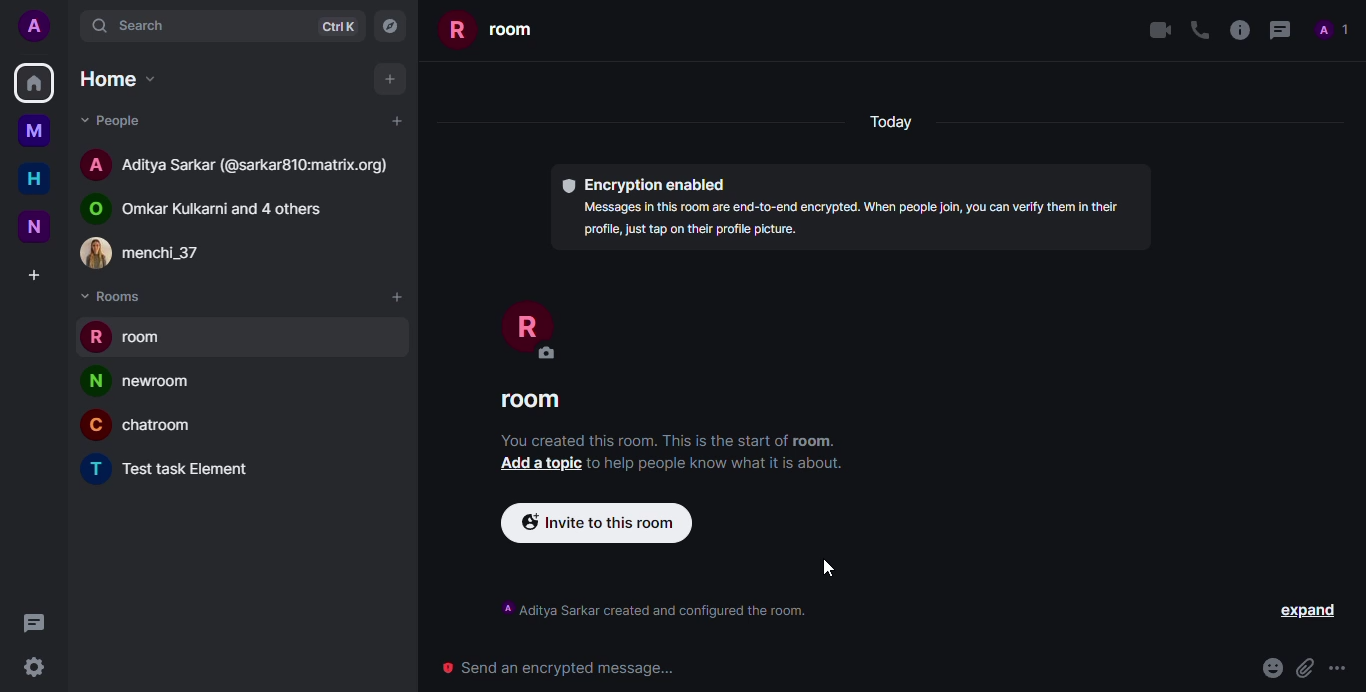 This screenshot has width=1366, height=692. Describe the element at coordinates (389, 26) in the screenshot. I see `explore rooms` at that location.